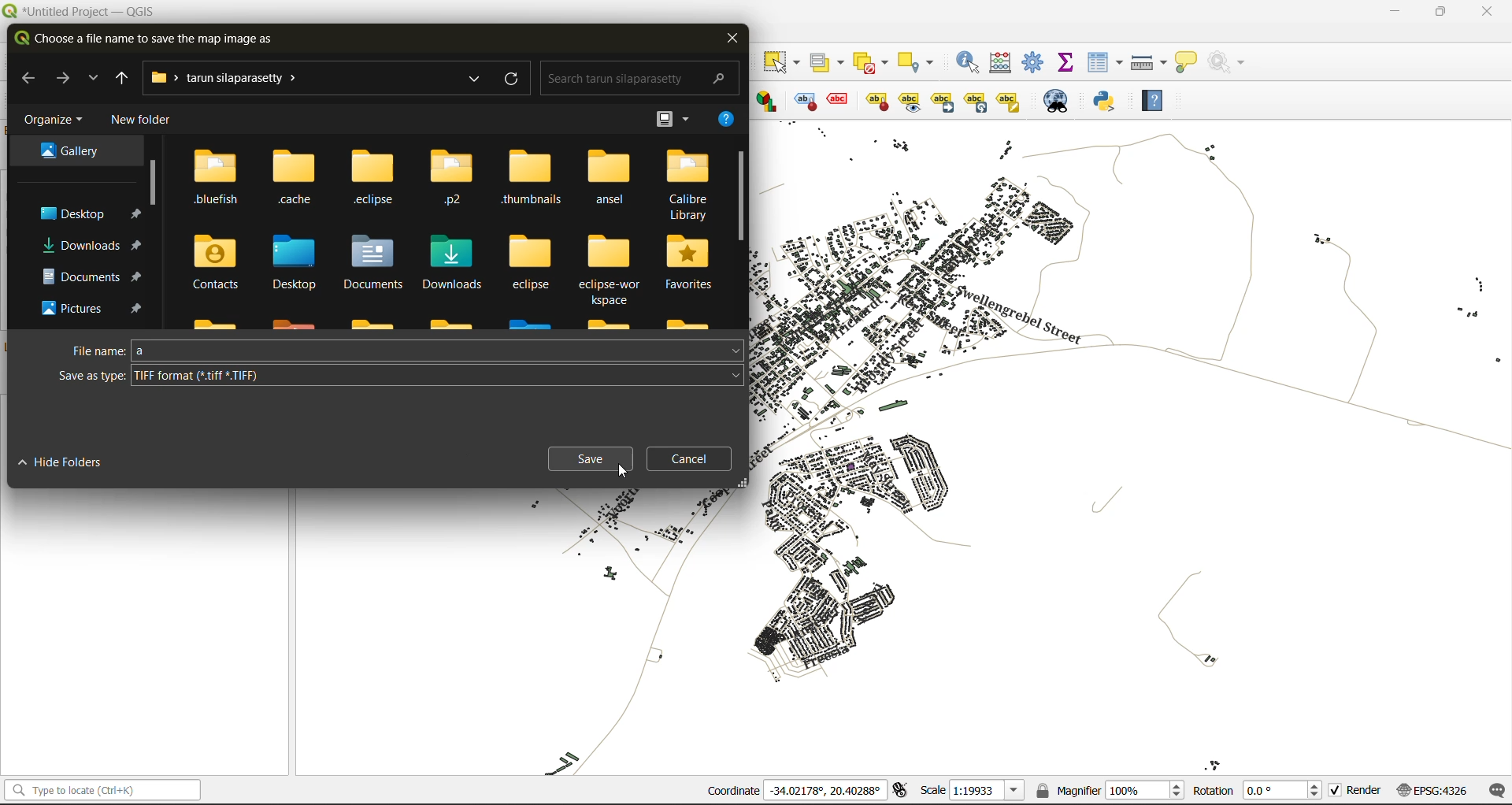  What do you see at coordinates (1110, 788) in the screenshot?
I see `magnifier` at bounding box center [1110, 788].